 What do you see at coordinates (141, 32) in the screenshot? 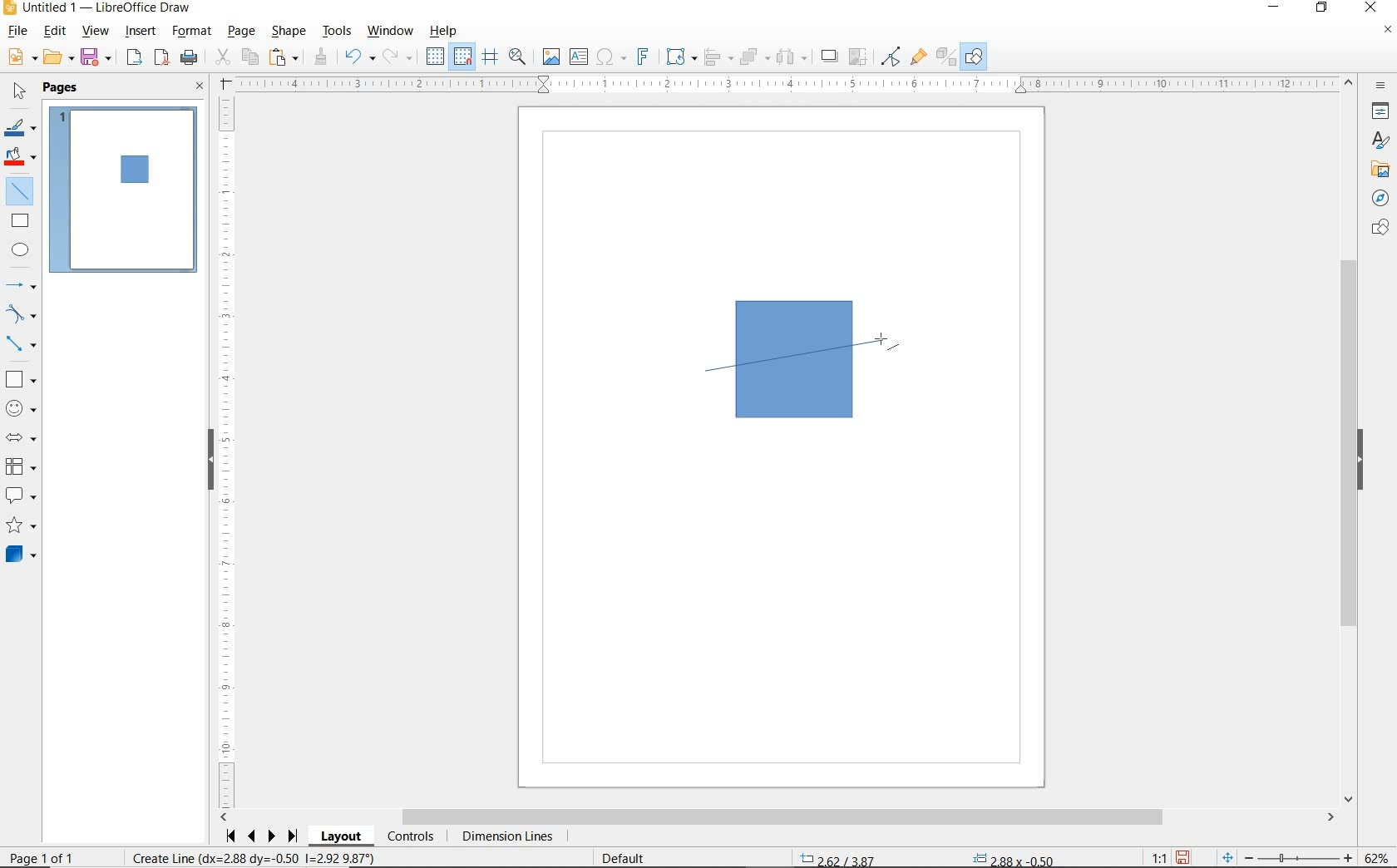
I see `INSERT` at bounding box center [141, 32].